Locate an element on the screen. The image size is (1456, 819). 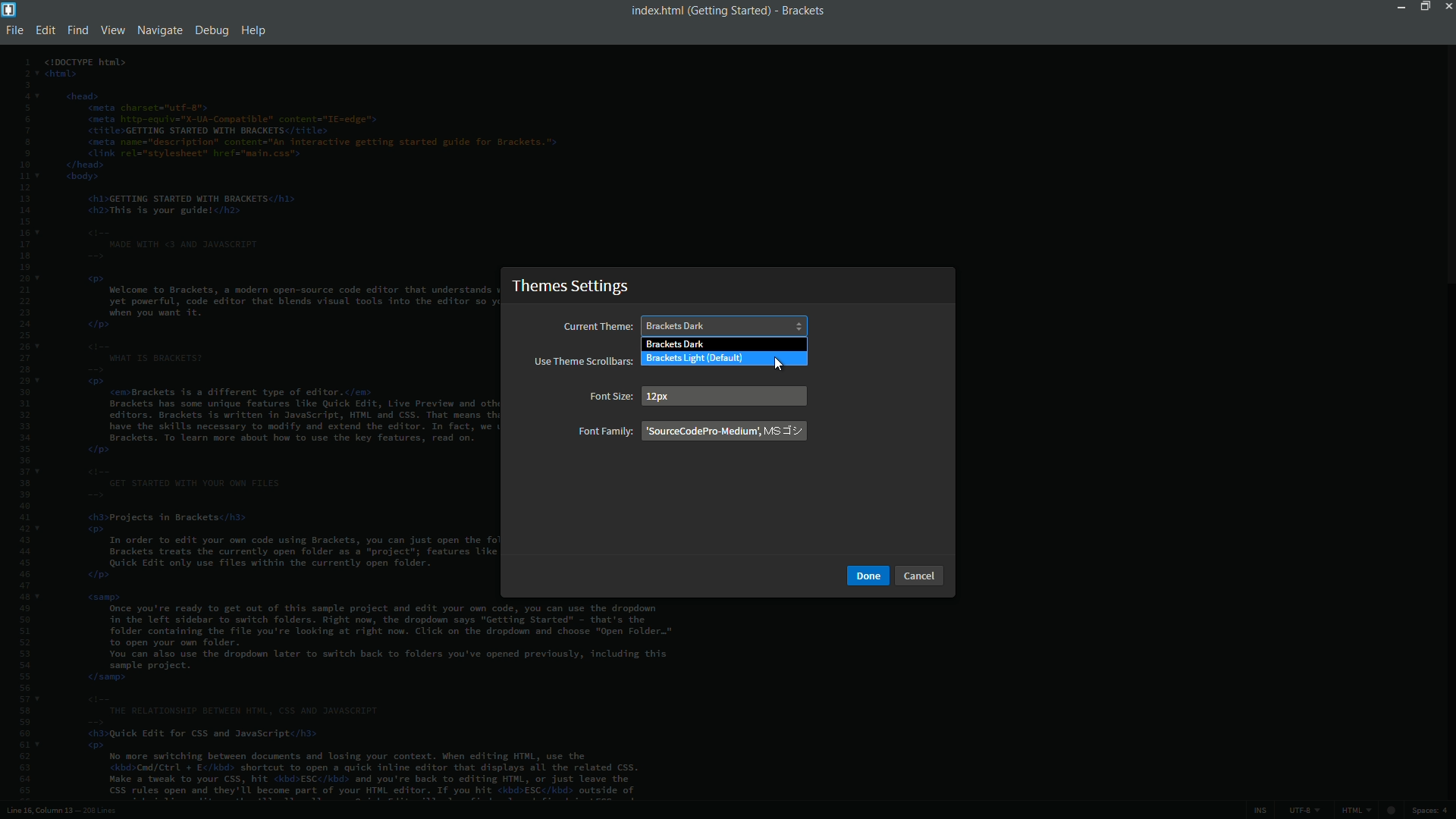
font family is located at coordinates (604, 432).